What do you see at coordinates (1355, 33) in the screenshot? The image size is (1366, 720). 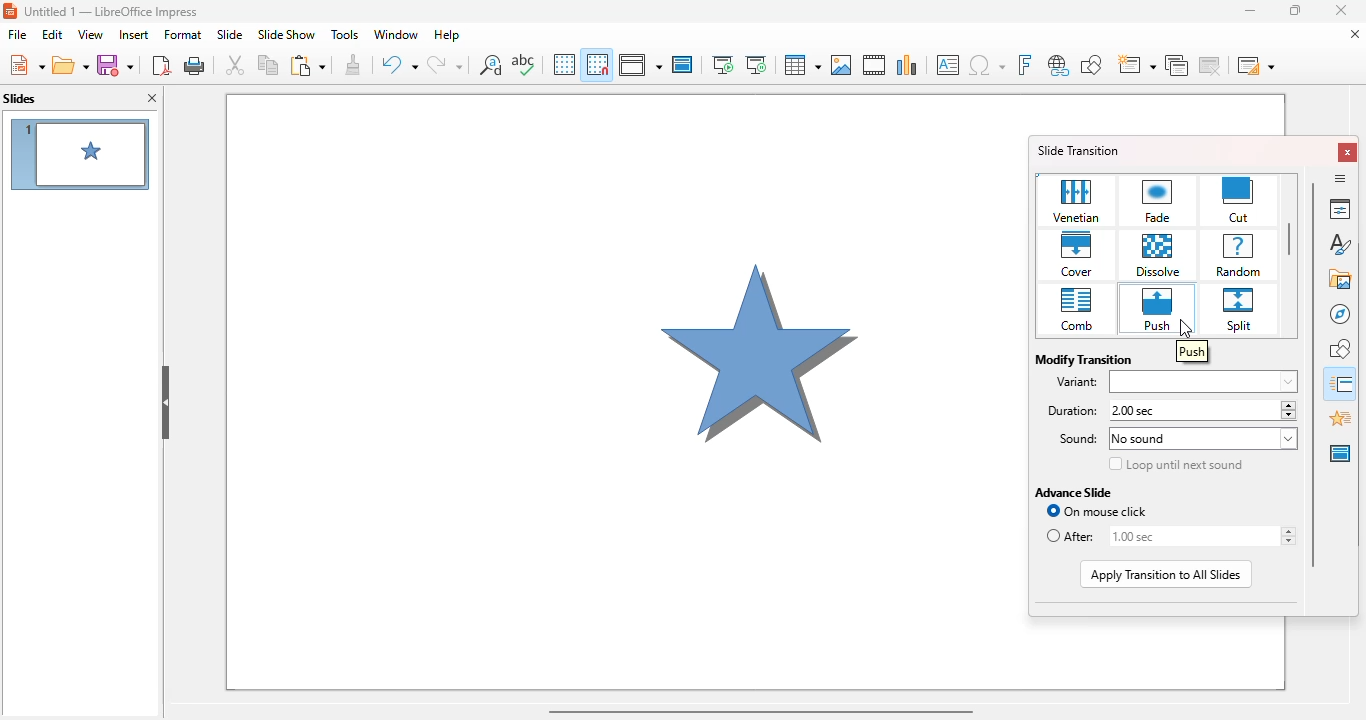 I see `close document` at bounding box center [1355, 33].